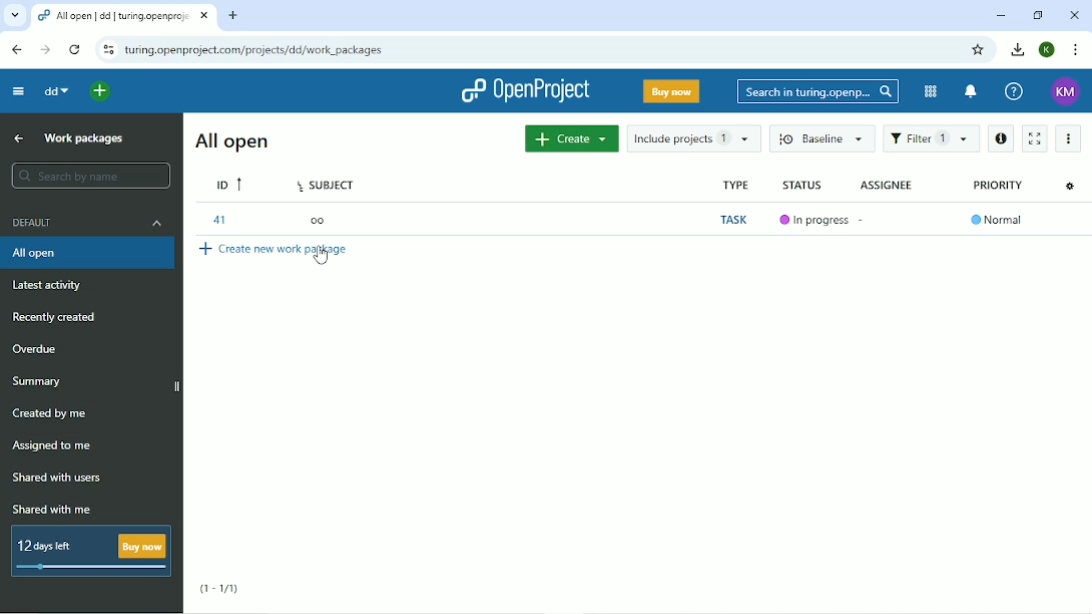  I want to click on (1-1/1), so click(217, 589).